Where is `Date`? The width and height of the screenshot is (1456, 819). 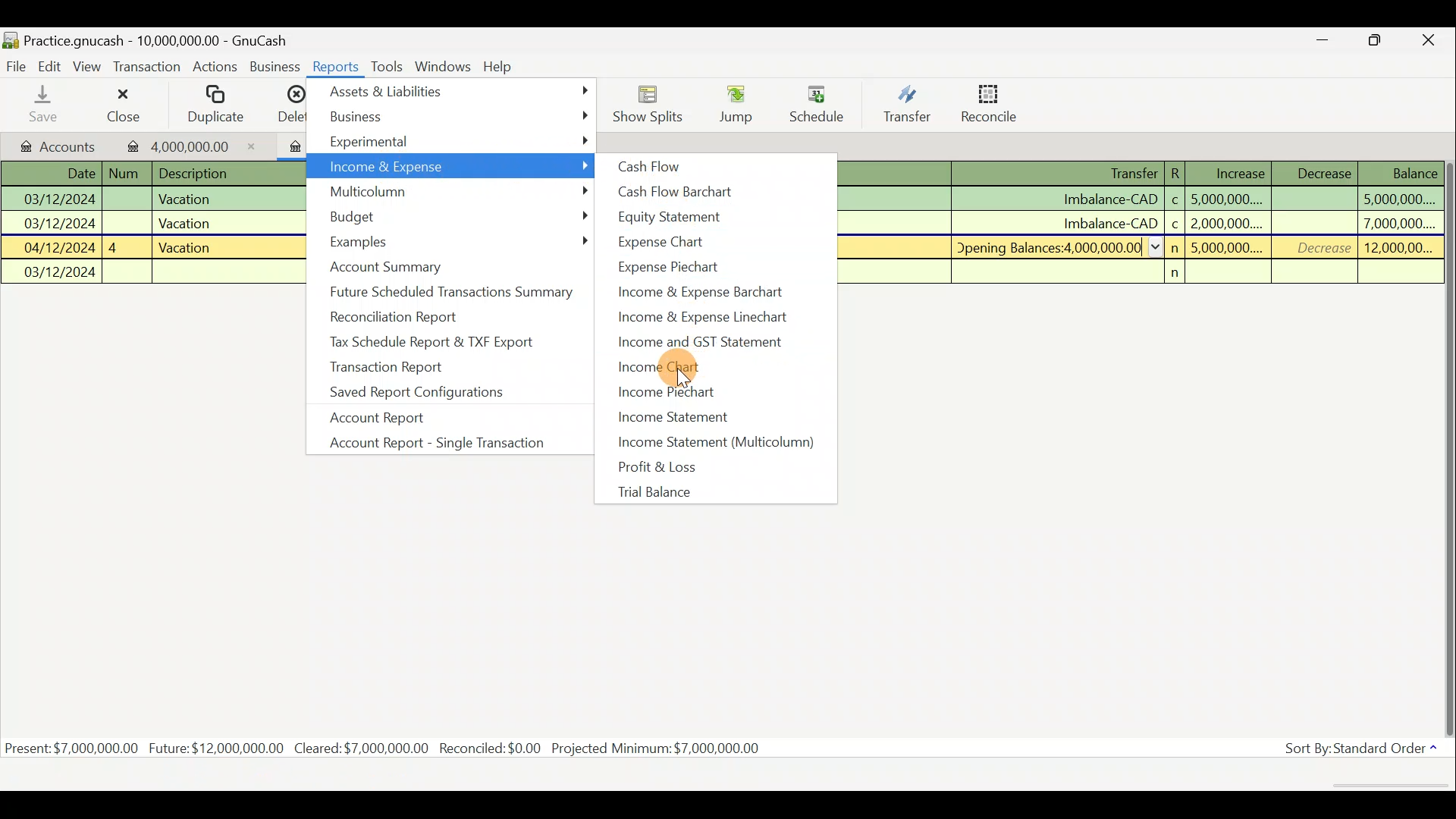 Date is located at coordinates (77, 174).